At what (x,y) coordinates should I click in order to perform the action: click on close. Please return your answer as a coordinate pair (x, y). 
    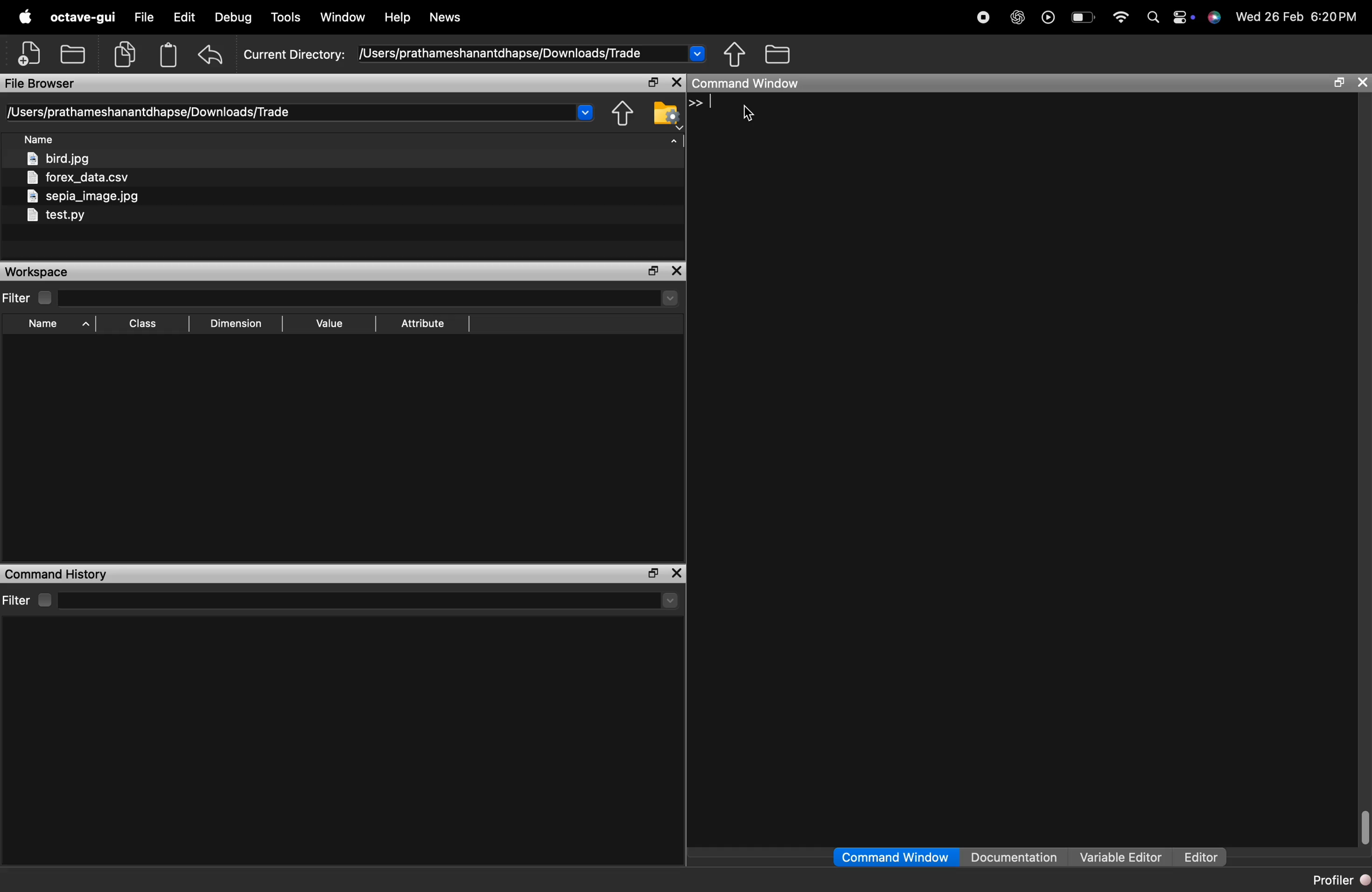
    Looking at the image, I should click on (677, 271).